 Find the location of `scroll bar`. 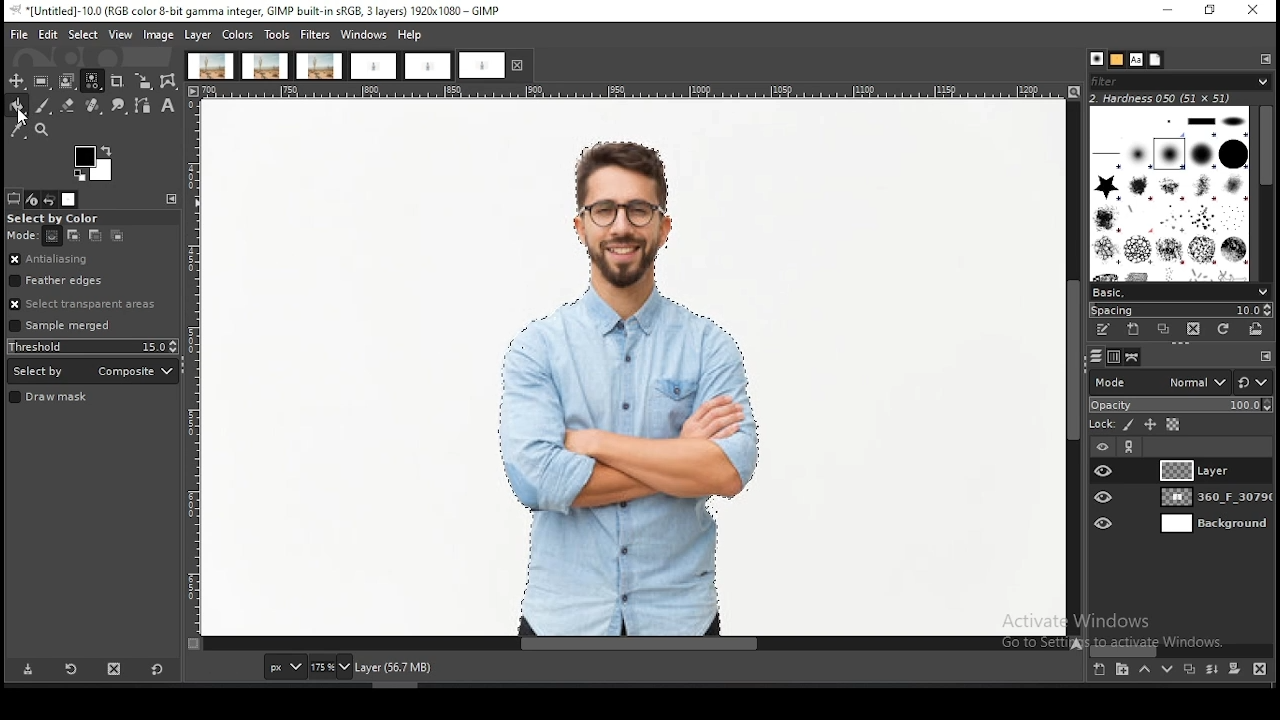

scroll bar is located at coordinates (1073, 368).